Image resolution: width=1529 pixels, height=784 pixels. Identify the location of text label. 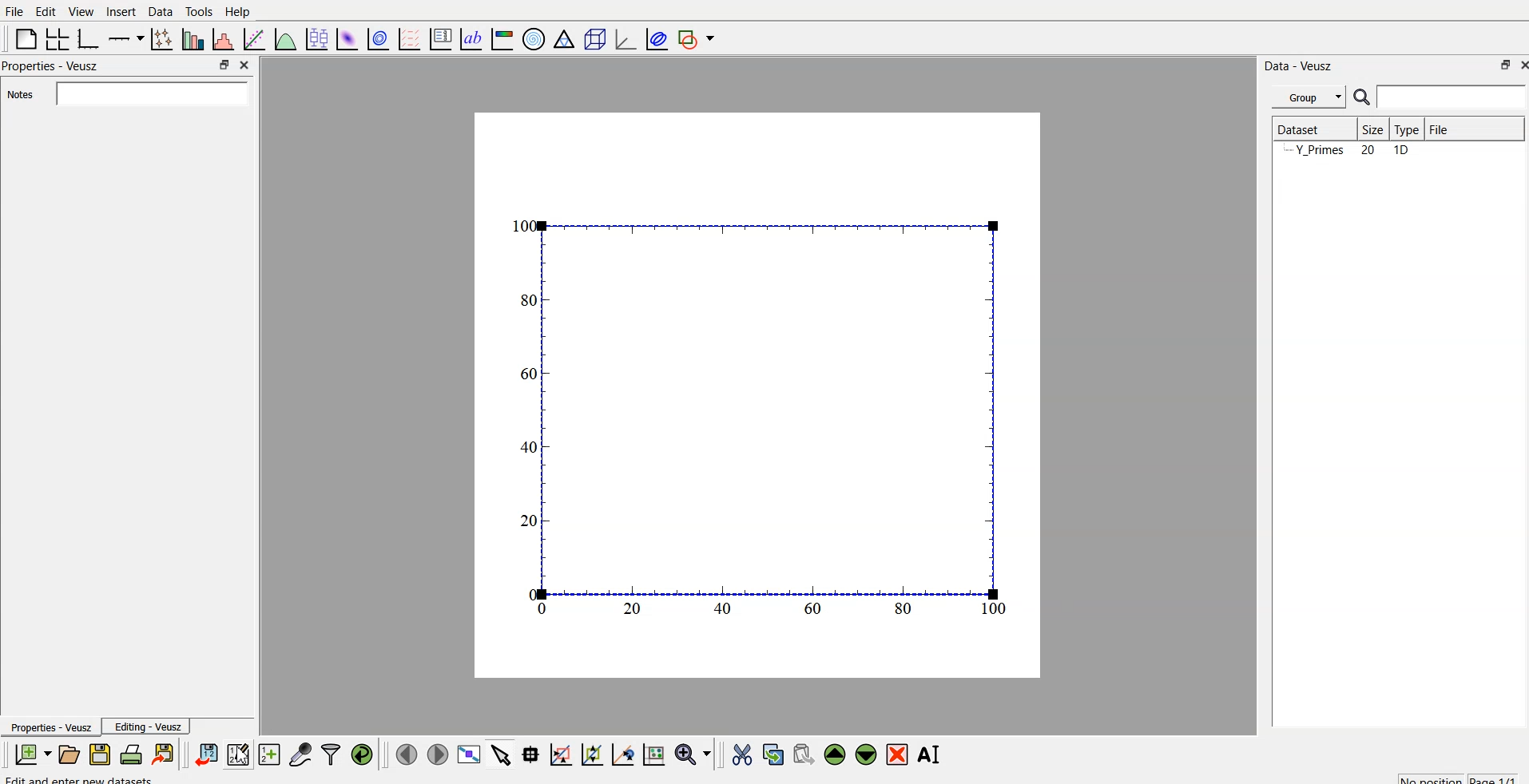
(469, 39).